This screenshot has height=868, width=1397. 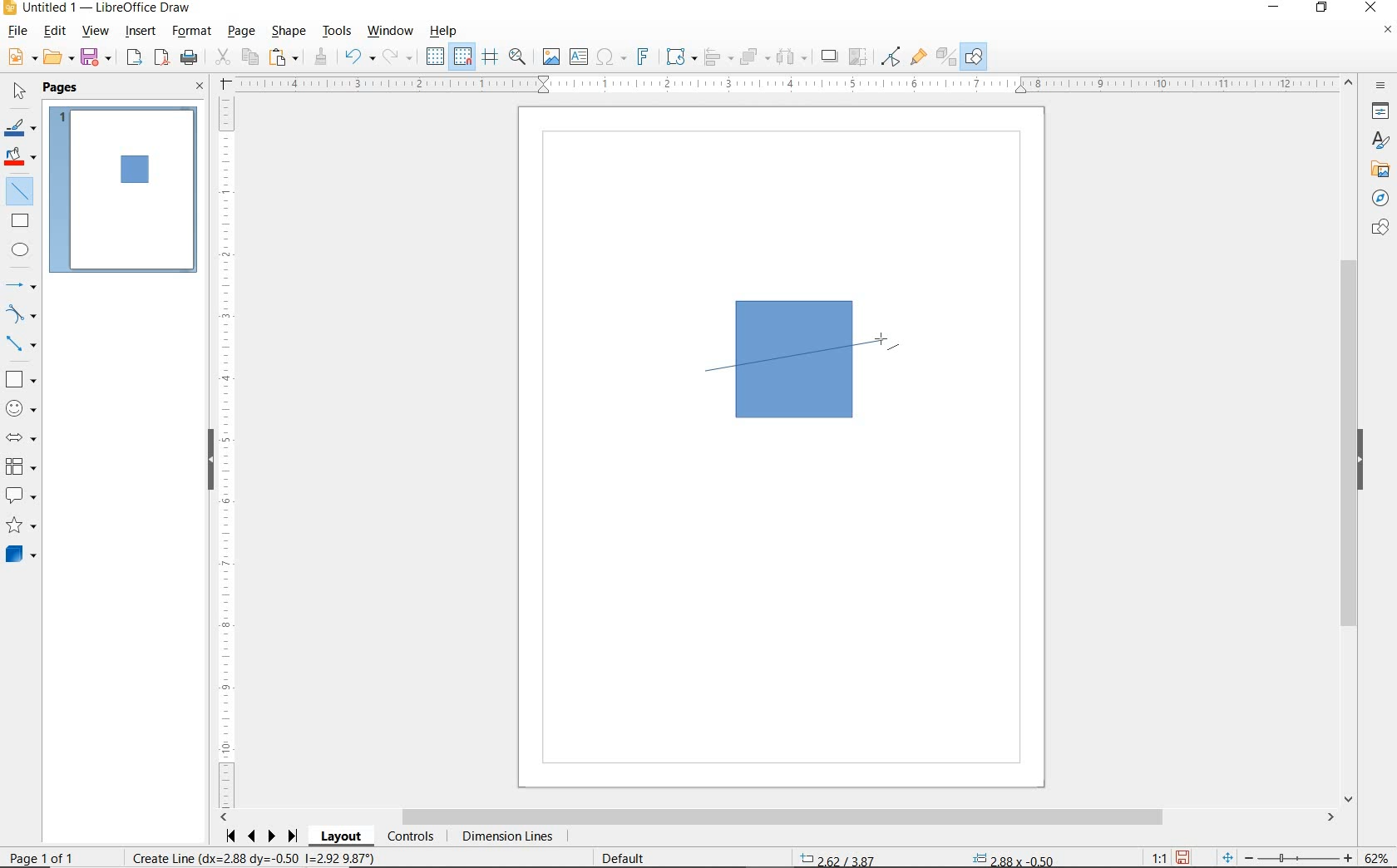 What do you see at coordinates (192, 32) in the screenshot?
I see `FORMAT` at bounding box center [192, 32].